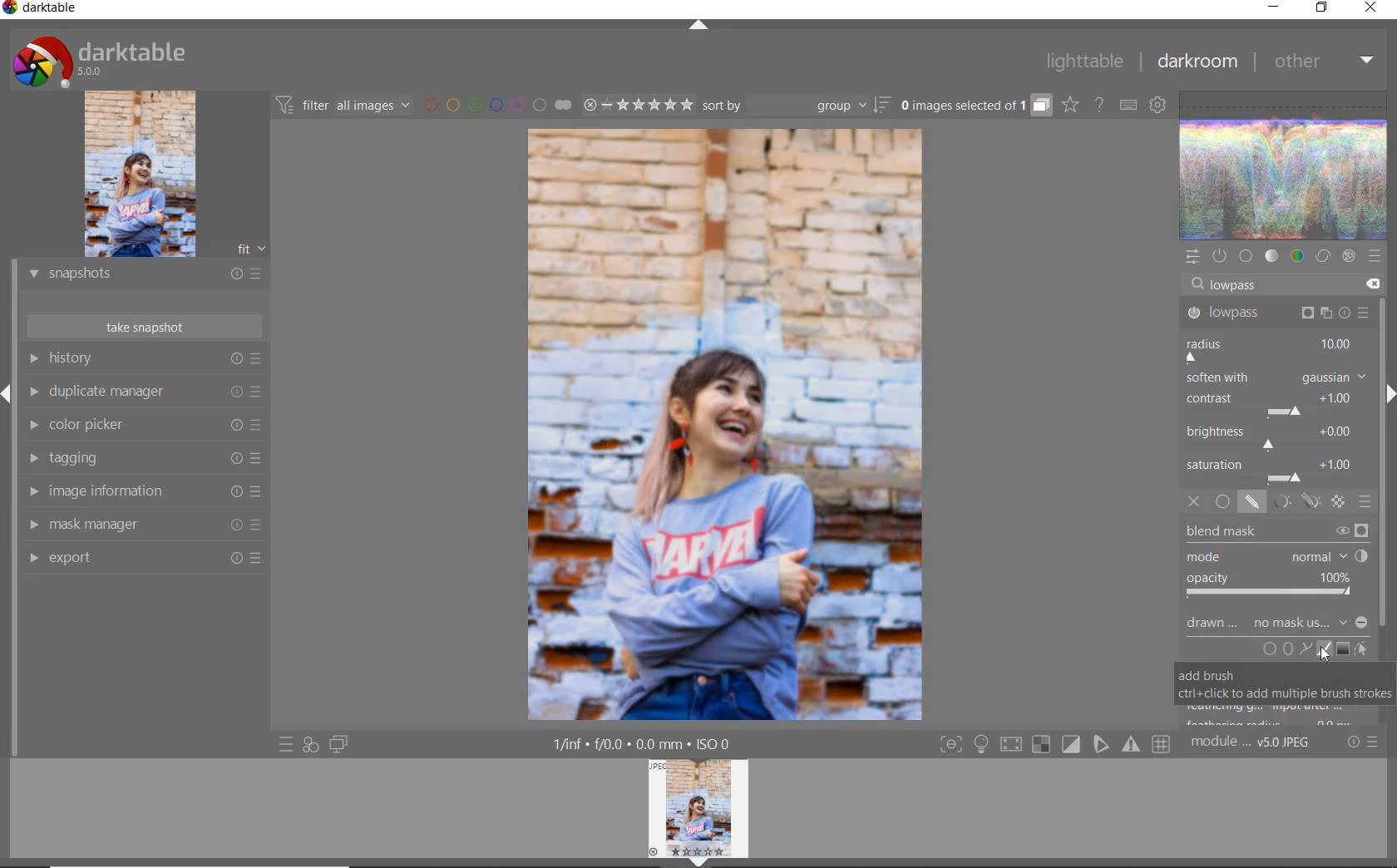  I want to click on sort, so click(797, 107).